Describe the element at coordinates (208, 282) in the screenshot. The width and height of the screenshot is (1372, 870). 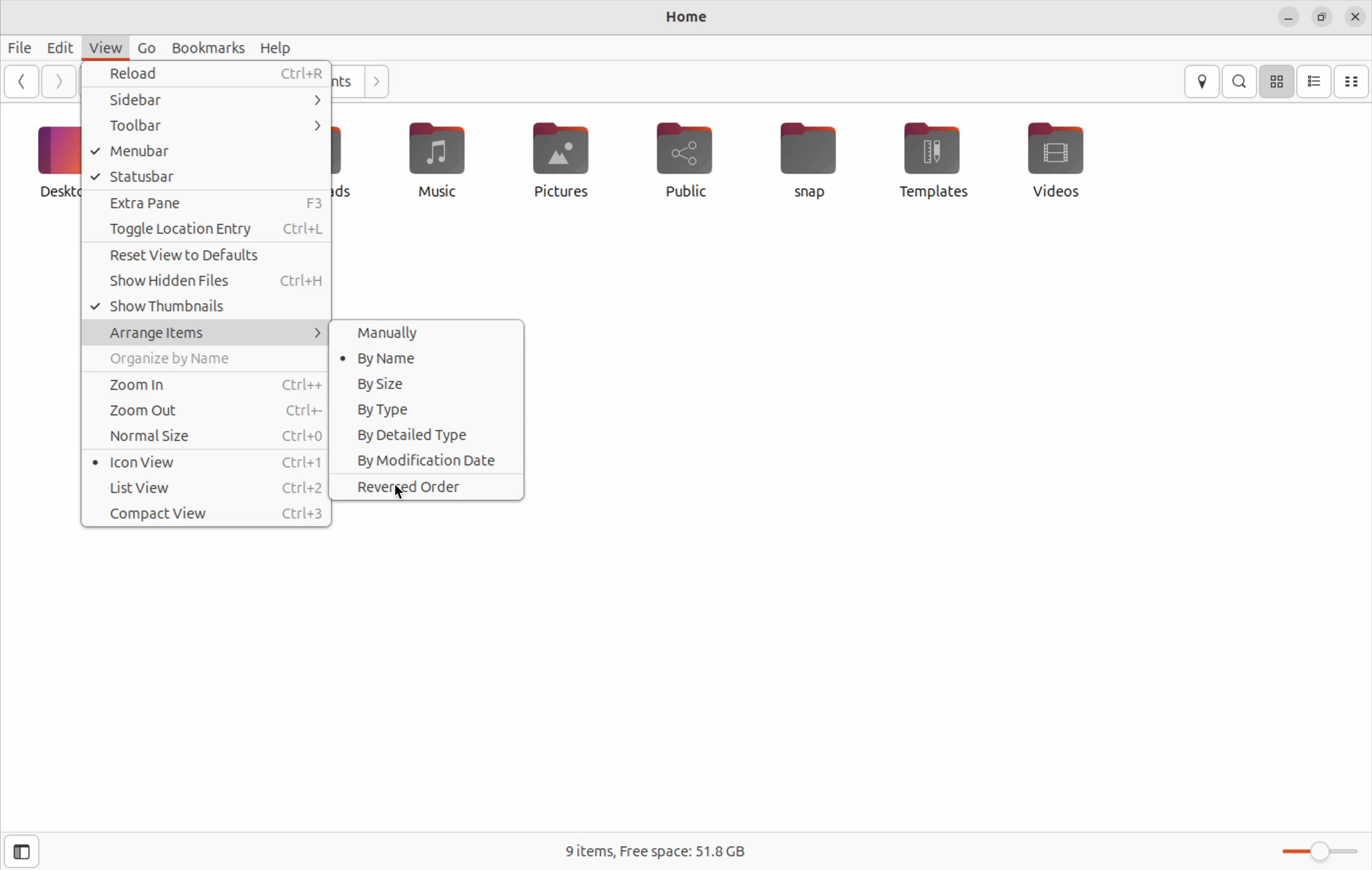
I see `show hidden files` at that location.